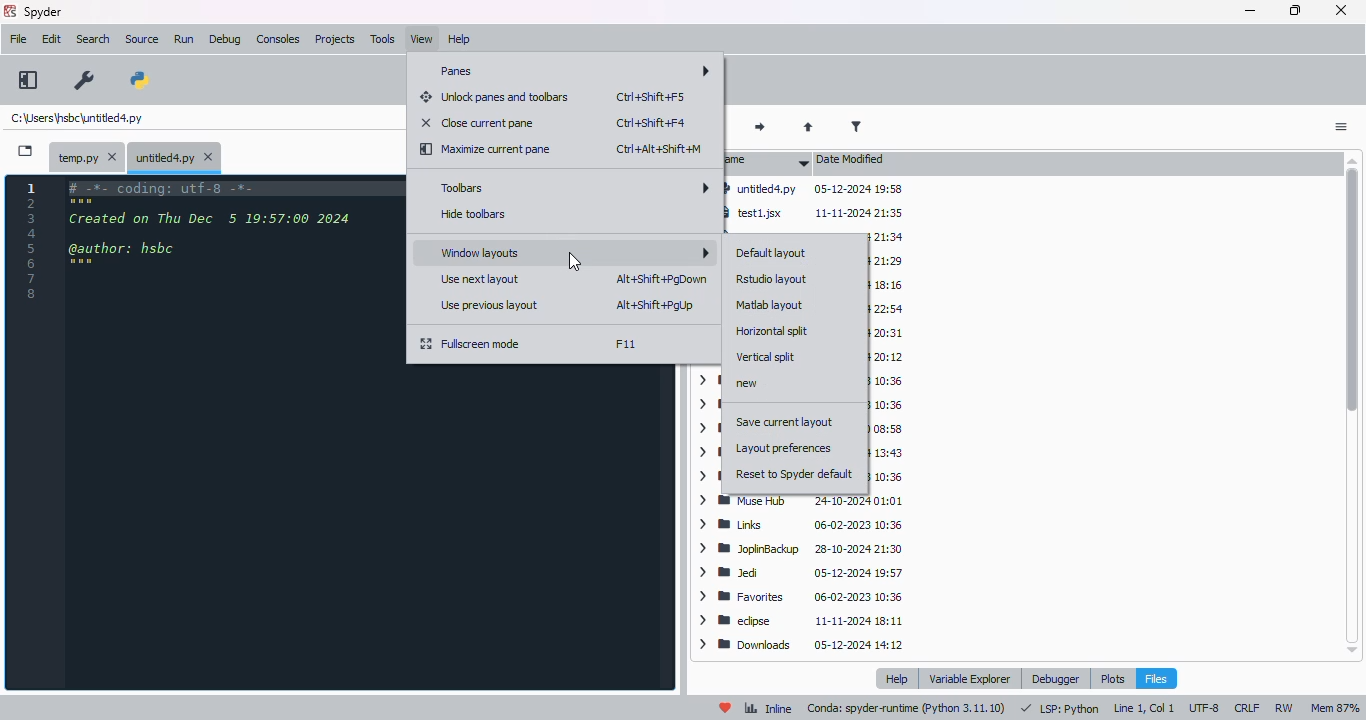 This screenshot has height=720, width=1366. I want to click on source, so click(142, 39).